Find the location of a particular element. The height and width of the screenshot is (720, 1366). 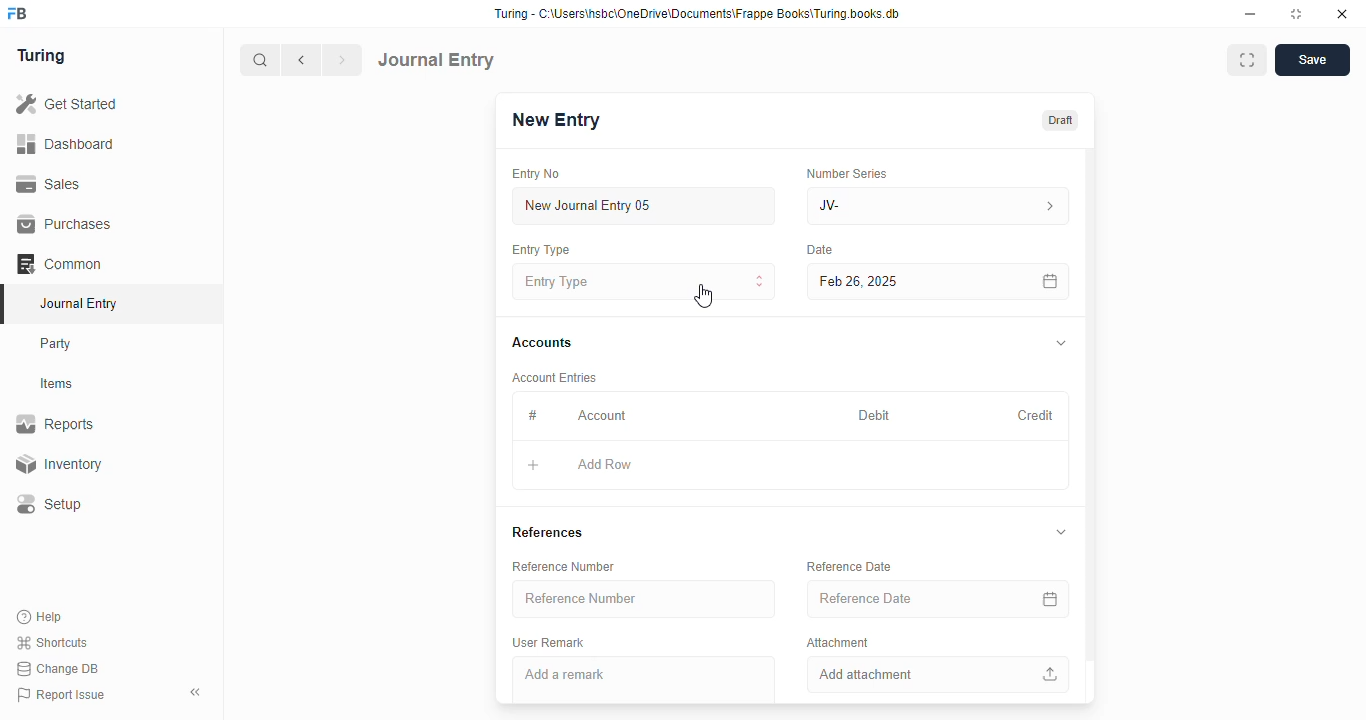

add is located at coordinates (533, 466).